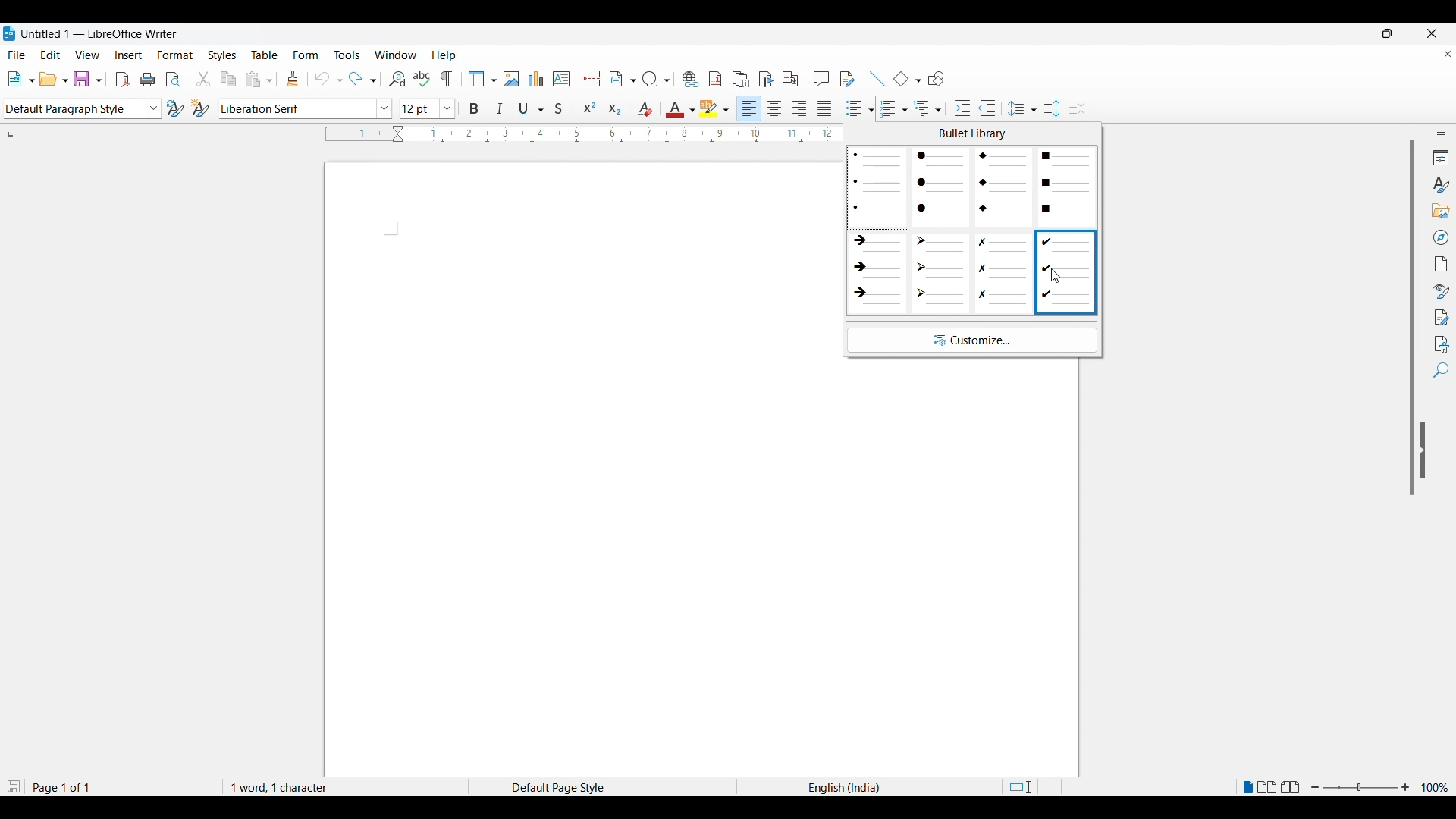  I want to click on copy, so click(228, 78).